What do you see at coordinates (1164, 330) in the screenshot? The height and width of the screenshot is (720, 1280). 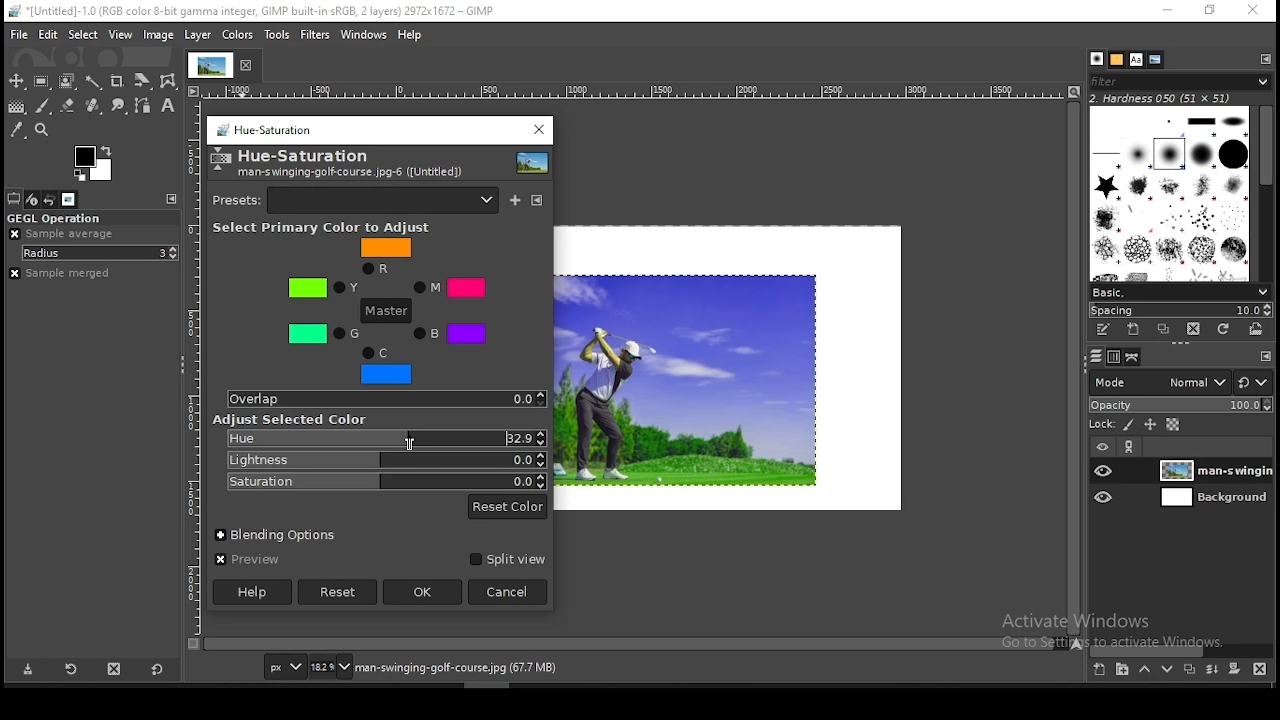 I see `duplicate brush` at bounding box center [1164, 330].